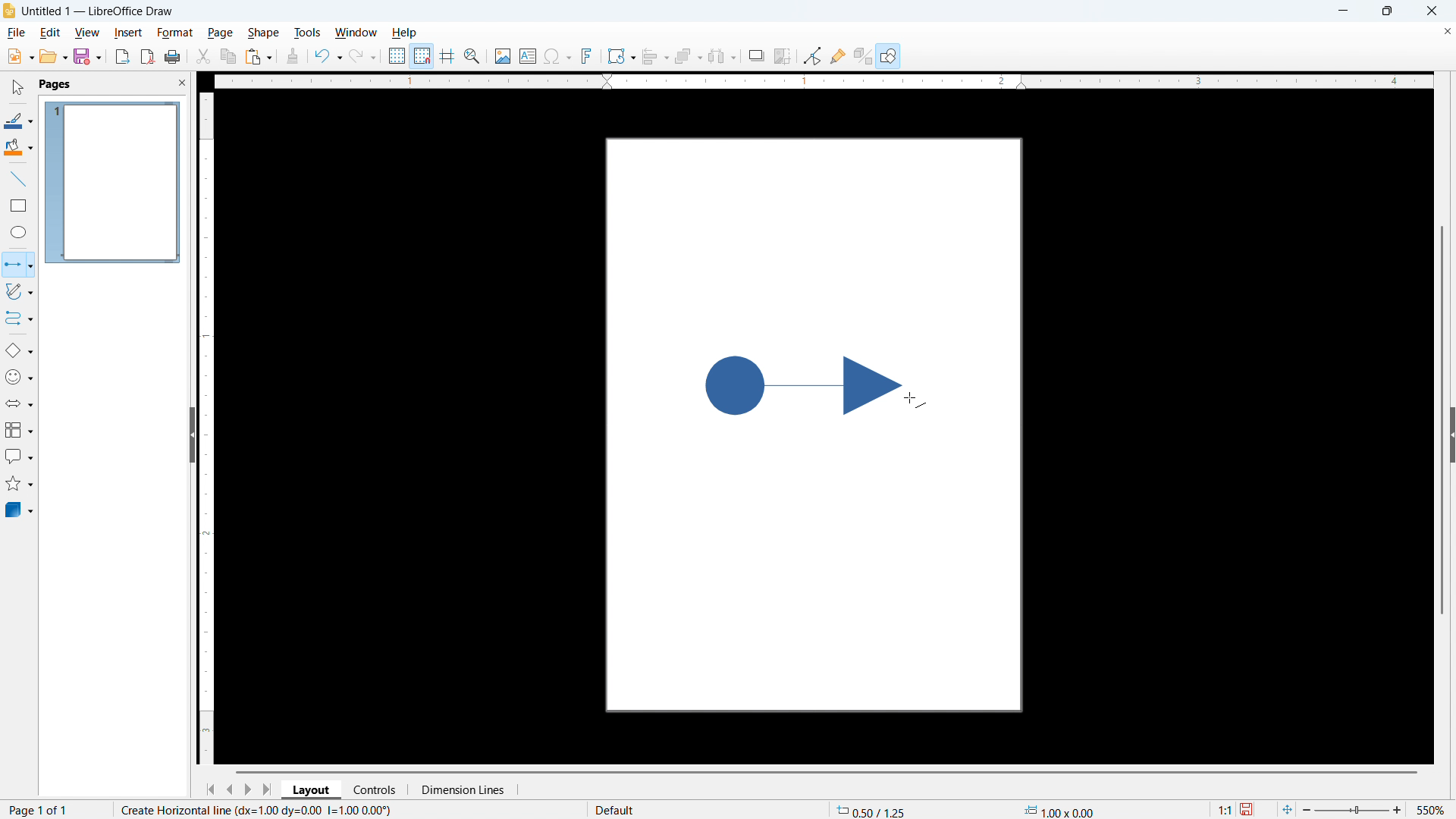  I want to click on Rectangle , so click(20, 206).